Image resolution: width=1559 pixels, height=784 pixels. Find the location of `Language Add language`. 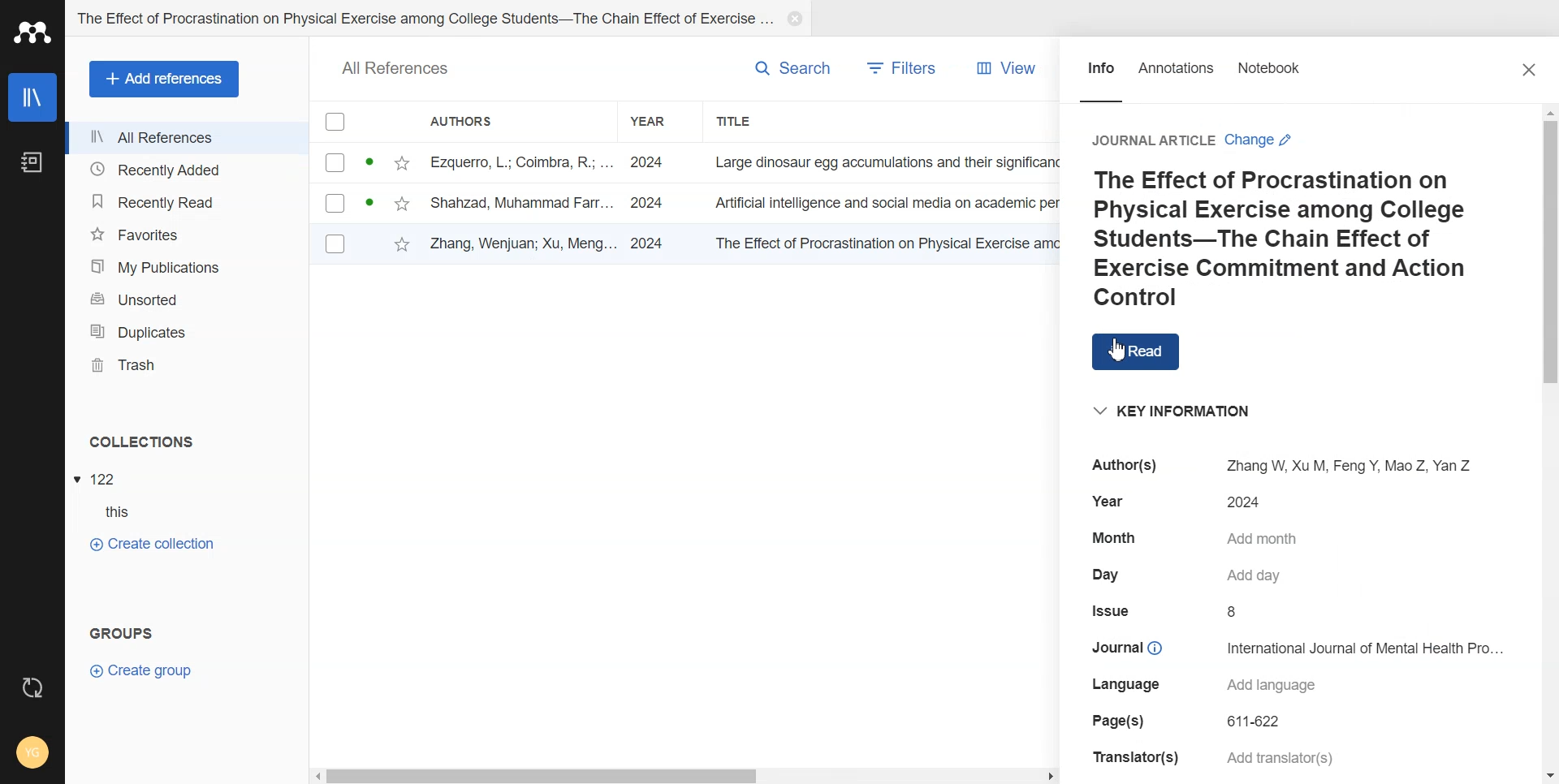

Language Add language is located at coordinates (1203, 686).